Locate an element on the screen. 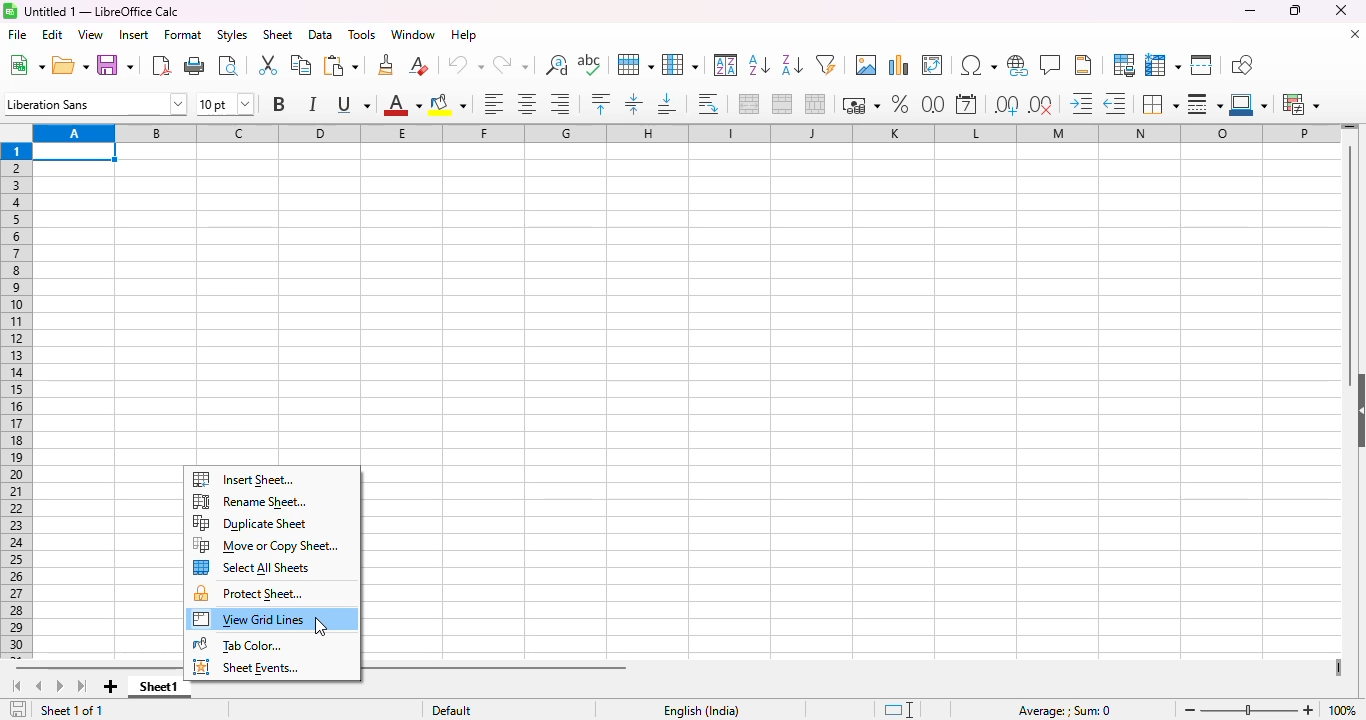 The image size is (1366, 720). print is located at coordinates (195, 66).